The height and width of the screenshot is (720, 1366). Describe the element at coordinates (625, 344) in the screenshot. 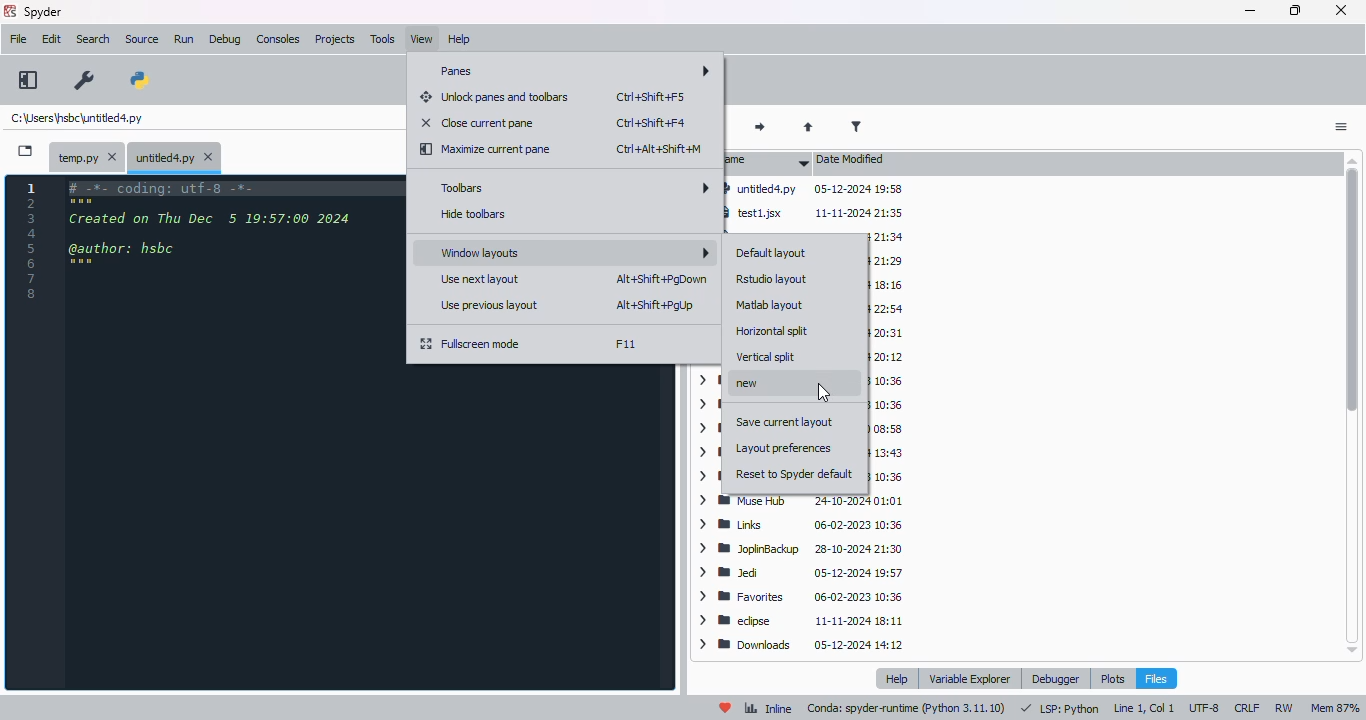

I see `shortcut for fullscreen mode` at that location.